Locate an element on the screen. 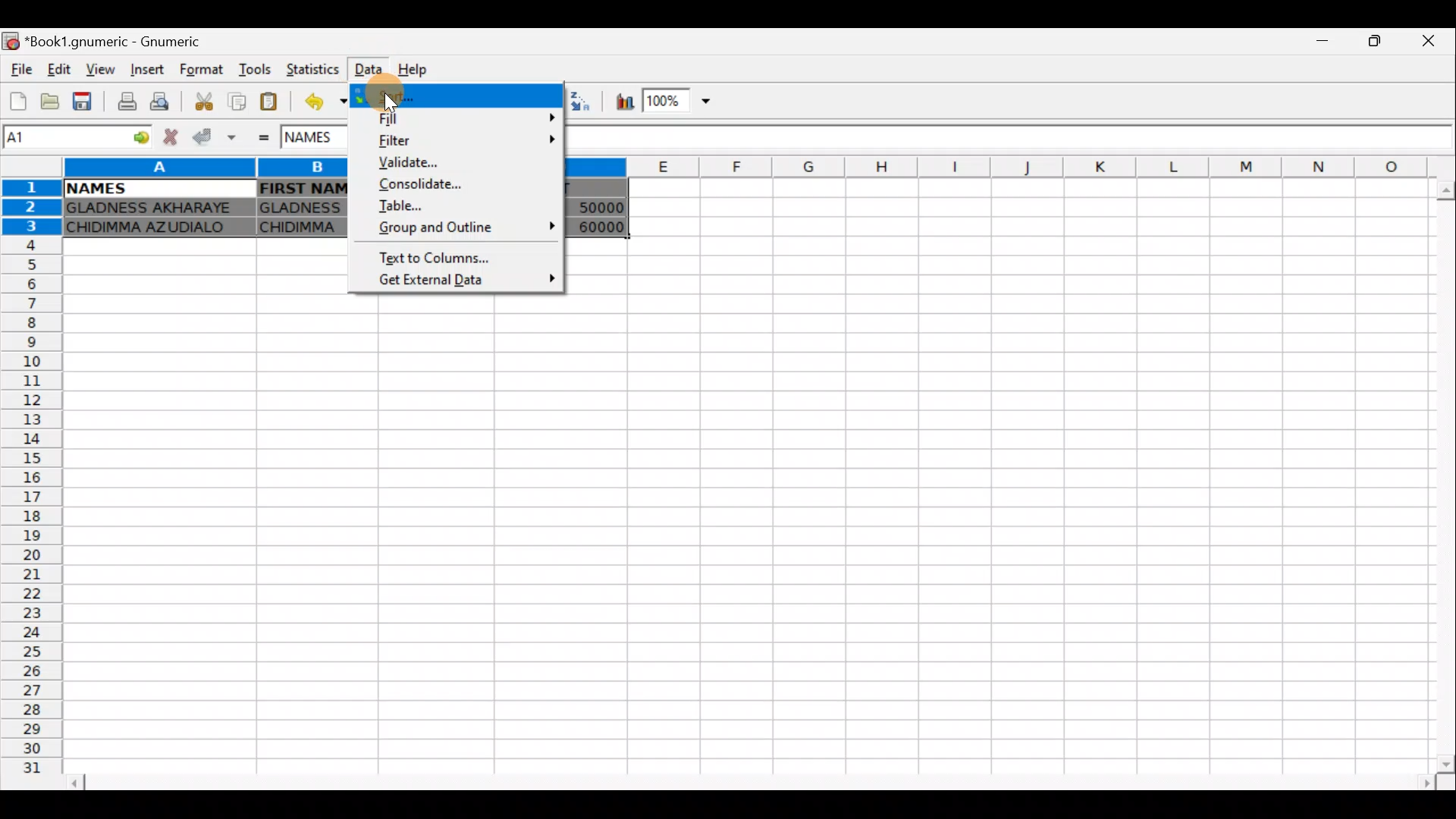  Format is located at coordinates (206, 71).